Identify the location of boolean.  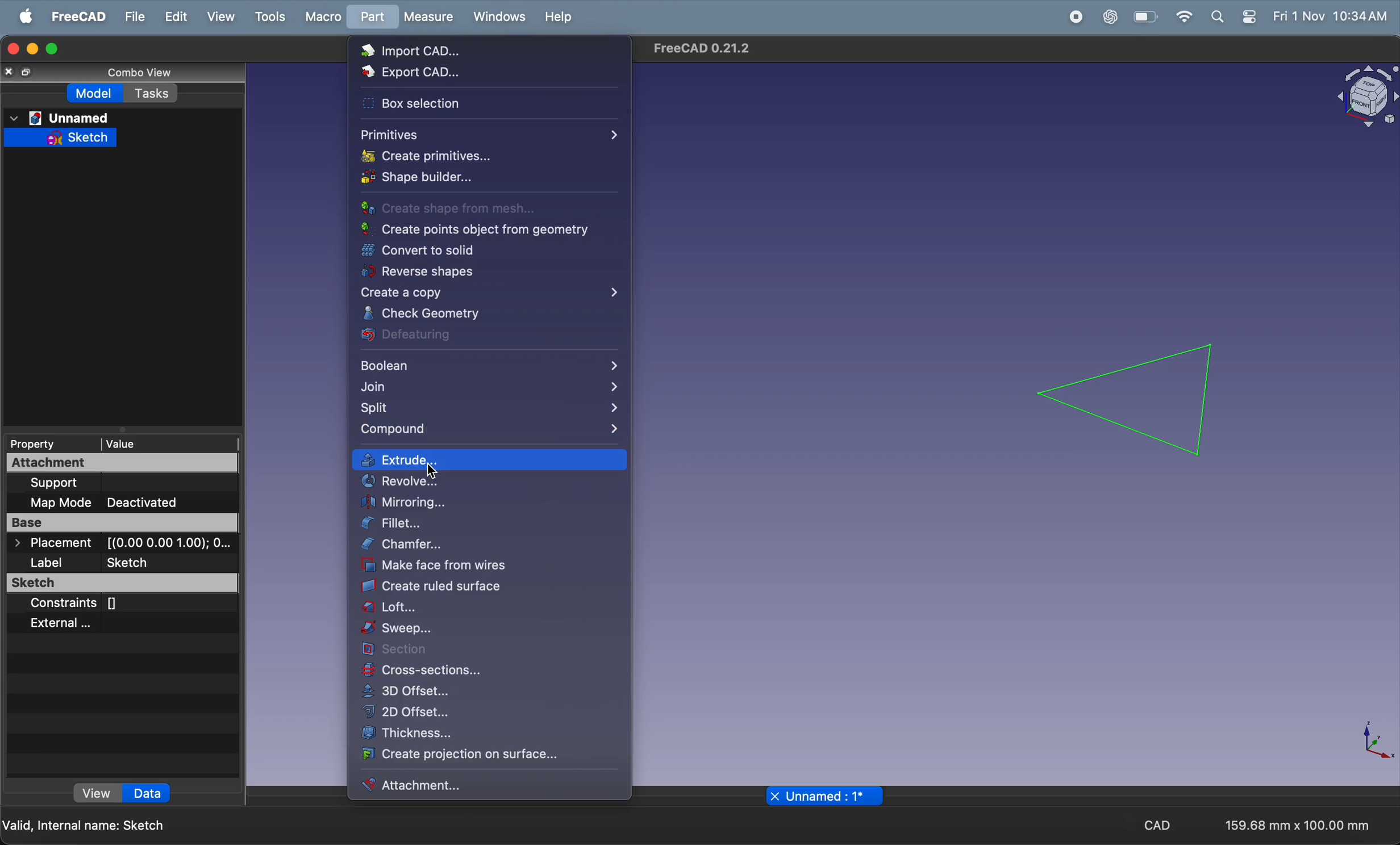
(487, 366).